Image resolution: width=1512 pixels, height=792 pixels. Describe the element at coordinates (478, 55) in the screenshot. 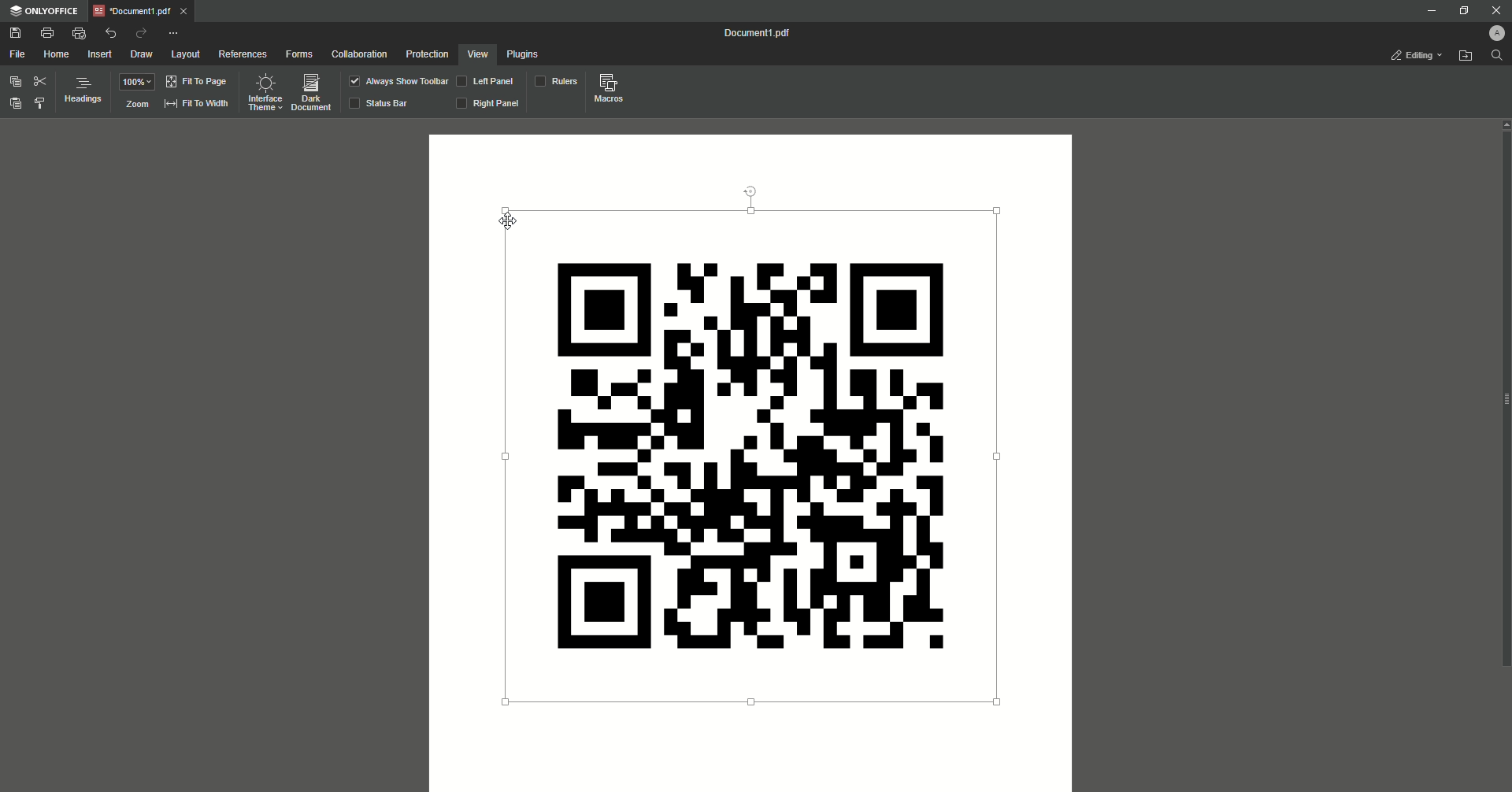

I see `View` at that location.